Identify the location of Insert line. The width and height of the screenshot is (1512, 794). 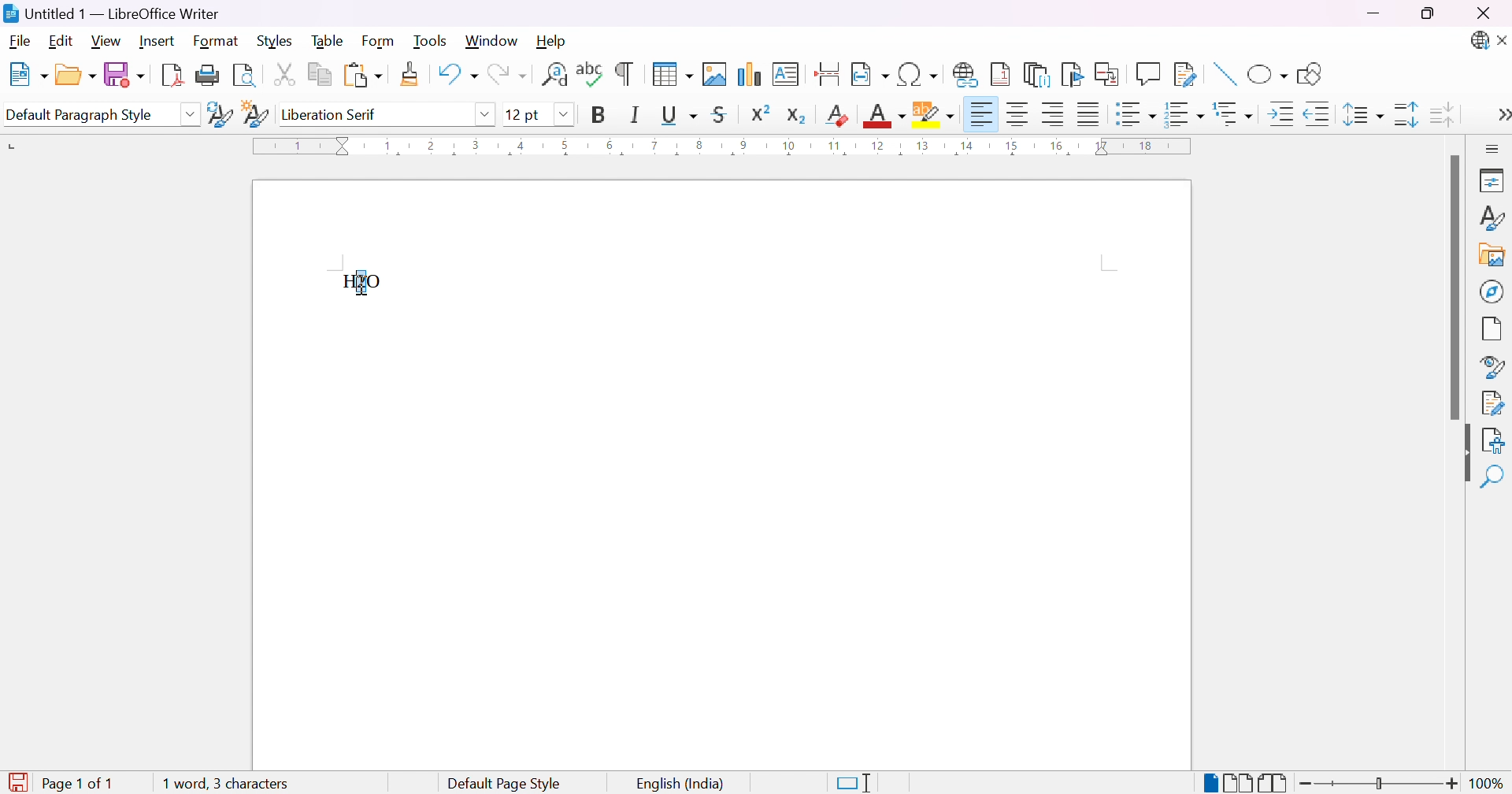
(1223, 76).